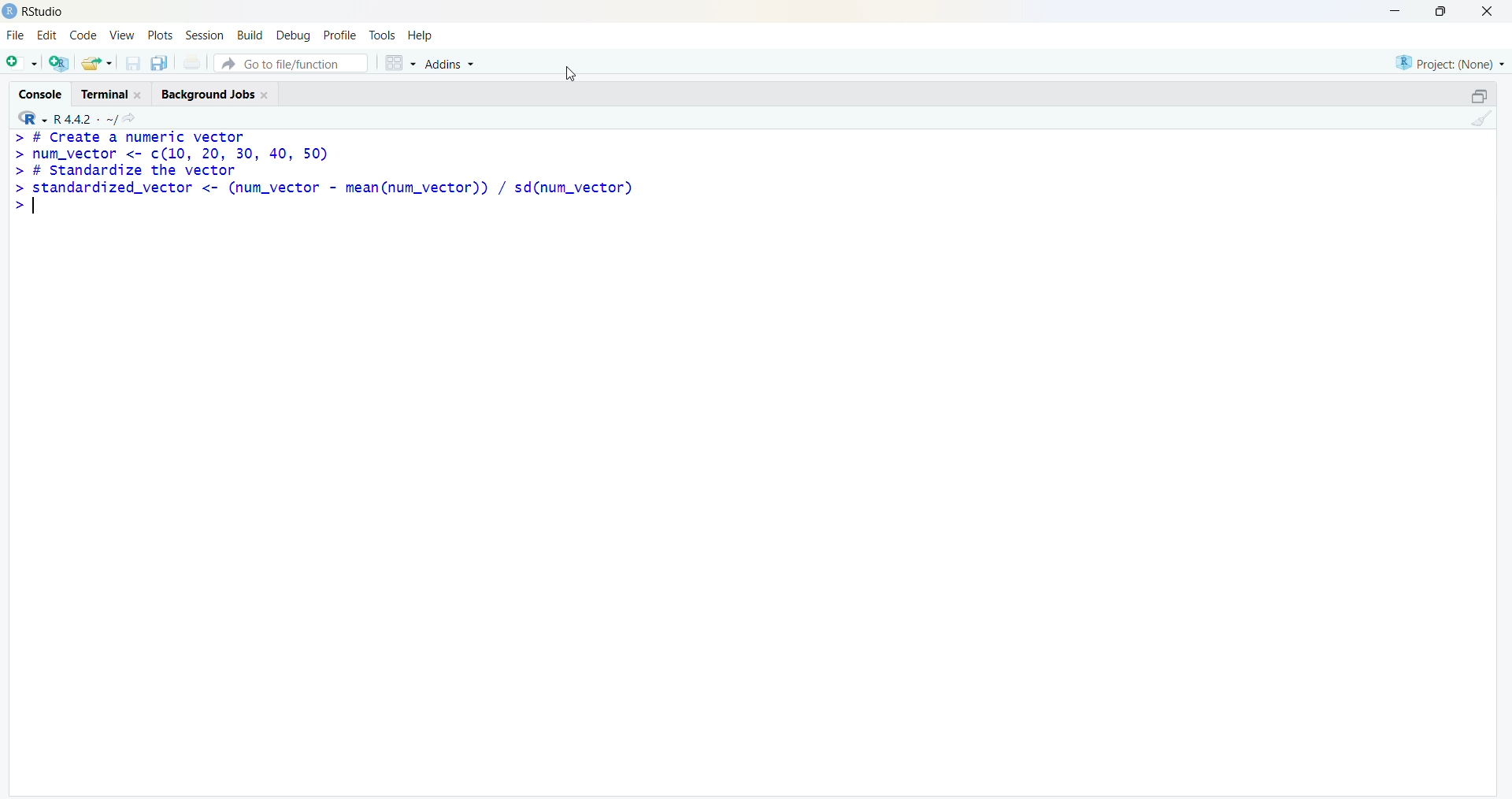  I want to click on console, so click(41, 95).